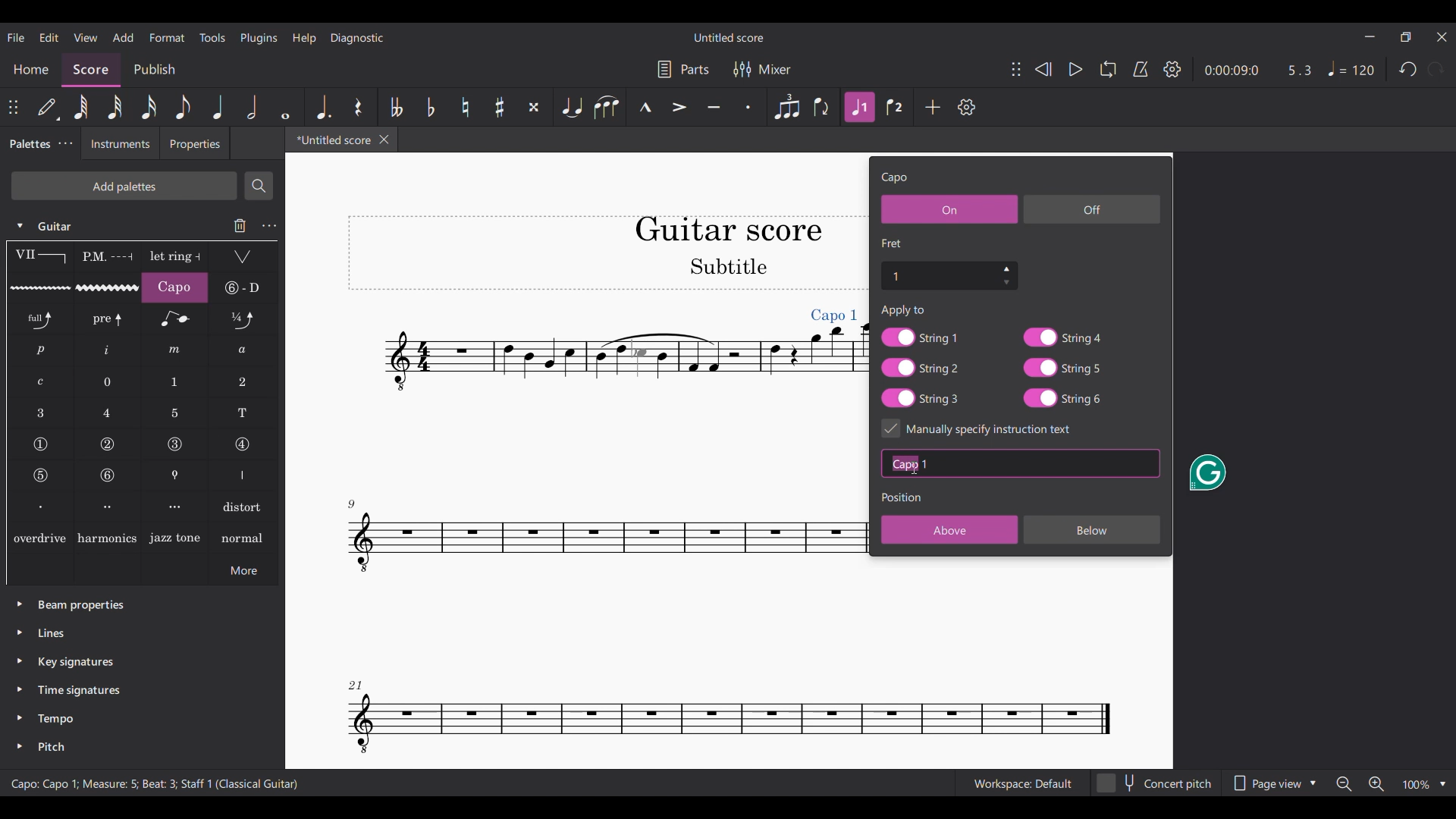 The height and width of the screenshot is (819, 1456). What do you see at coordinates (285, 107) in the screenshot?
I see `Whole note` at bounding box center [285, 107].